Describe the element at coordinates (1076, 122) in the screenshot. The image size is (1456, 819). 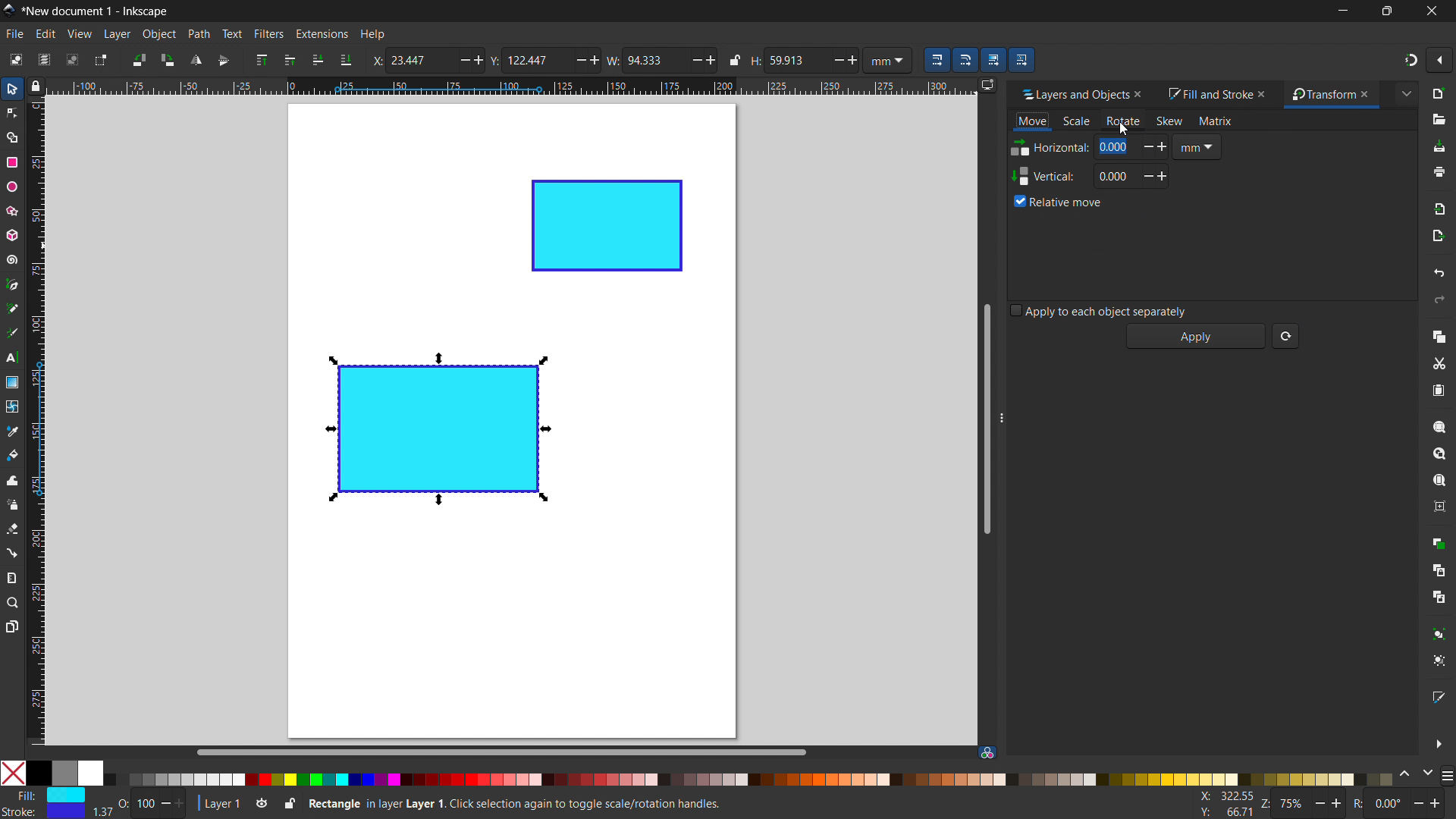
I see `scale` at that location.